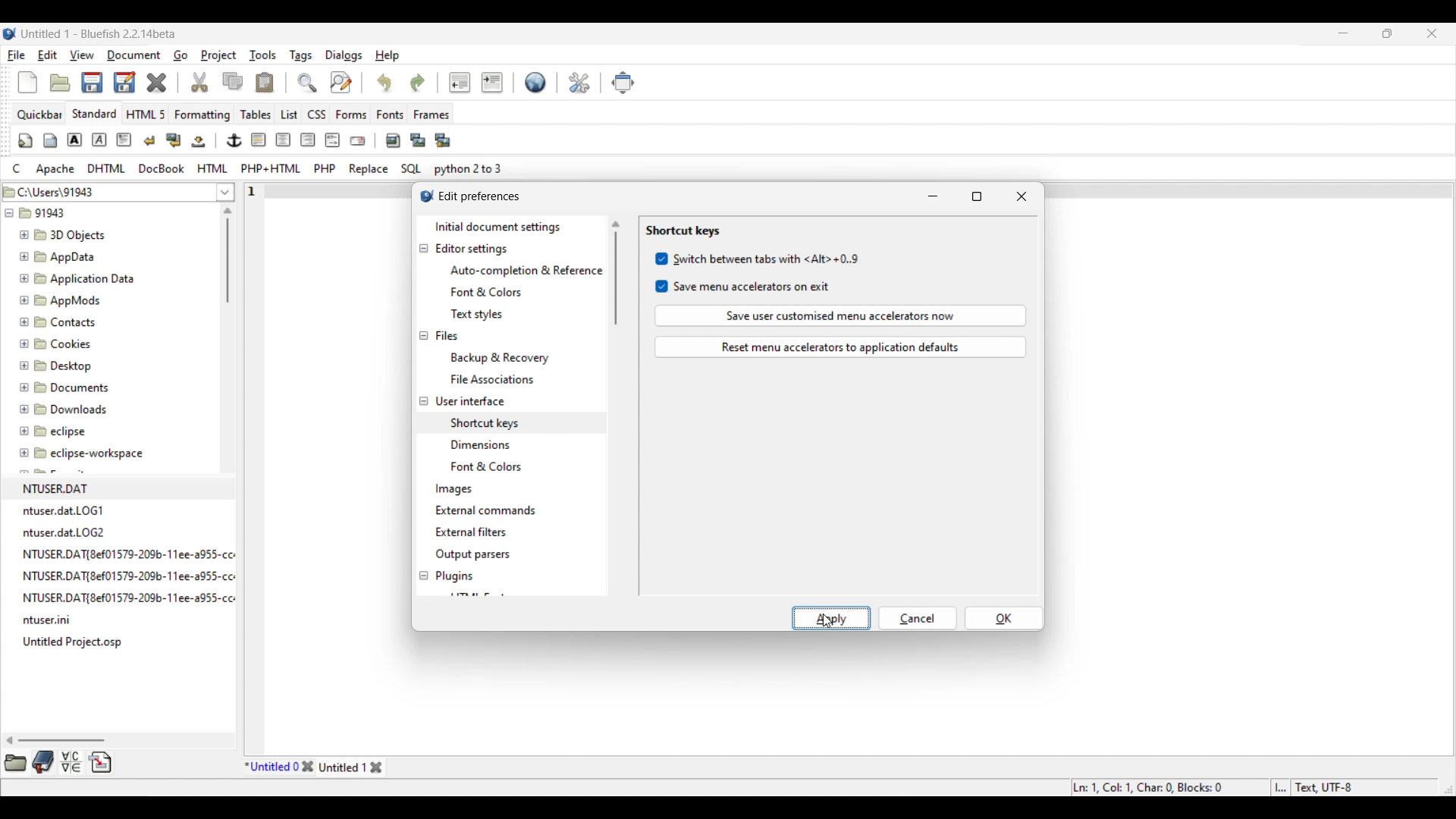 This screenshot has width=1456, height=819. What do you see at coordinates (83, 457) in the screenshot?
I see `eclipse-workspace` at bounding box center [83, 457].